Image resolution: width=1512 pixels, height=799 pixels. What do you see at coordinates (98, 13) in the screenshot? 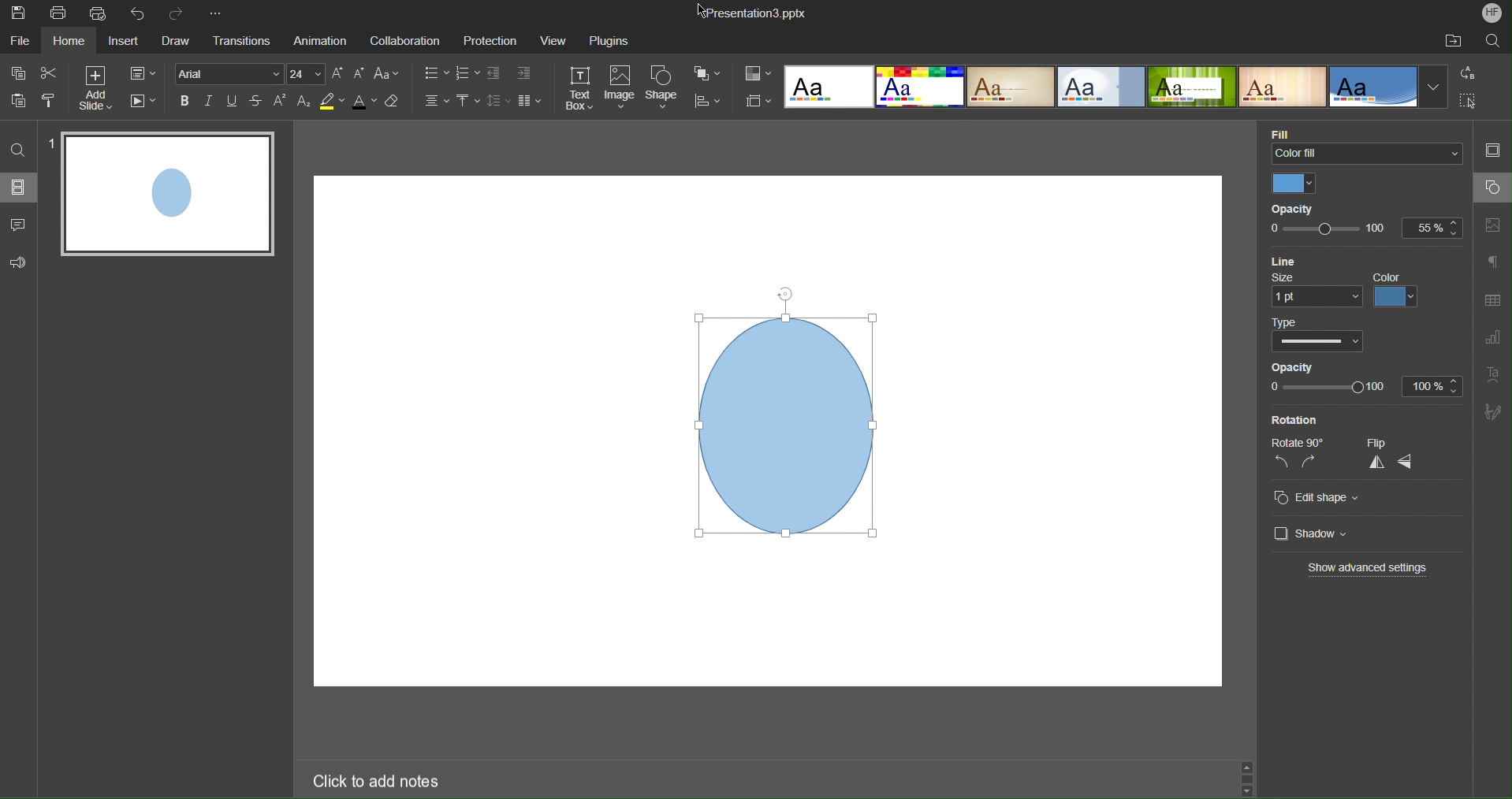
I see `Quick Print` at bounding box center [98, 13].